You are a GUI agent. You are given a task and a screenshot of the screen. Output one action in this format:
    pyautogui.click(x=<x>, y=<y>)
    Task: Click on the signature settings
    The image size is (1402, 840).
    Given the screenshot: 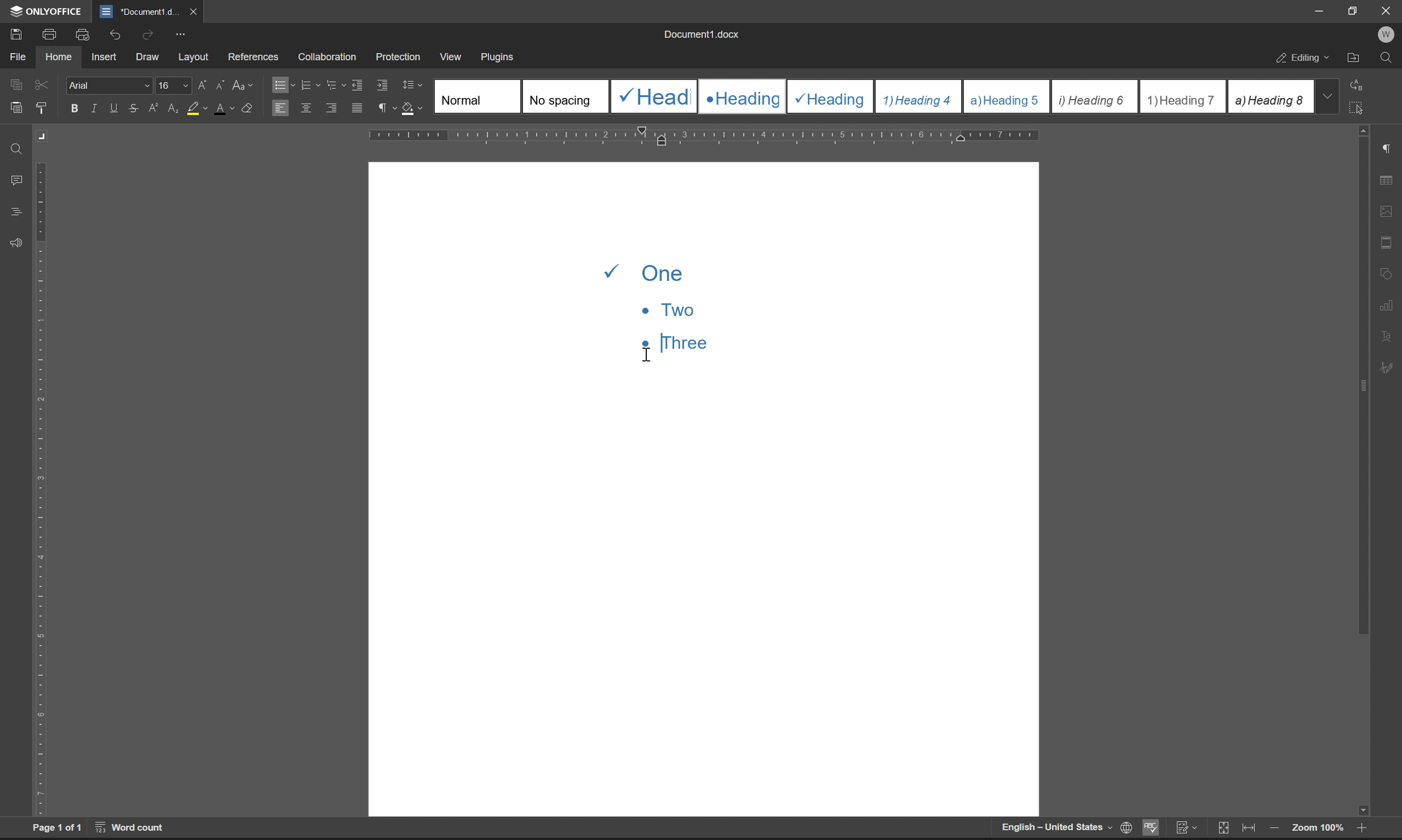 What is the action you would take?
    pyautogui.click(x=1390, y=368)
    